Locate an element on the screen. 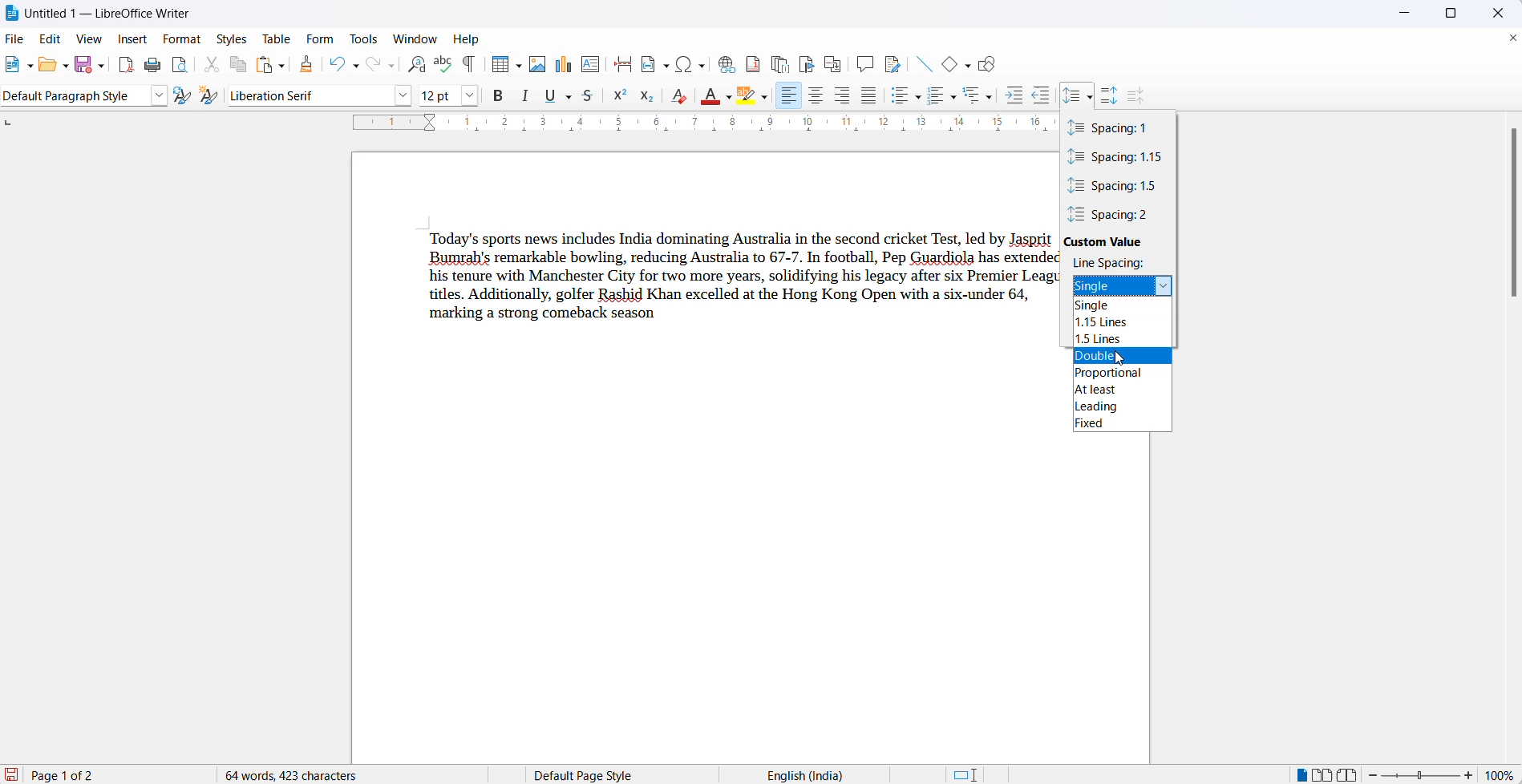  font name options is located at coordinates (474, 97).